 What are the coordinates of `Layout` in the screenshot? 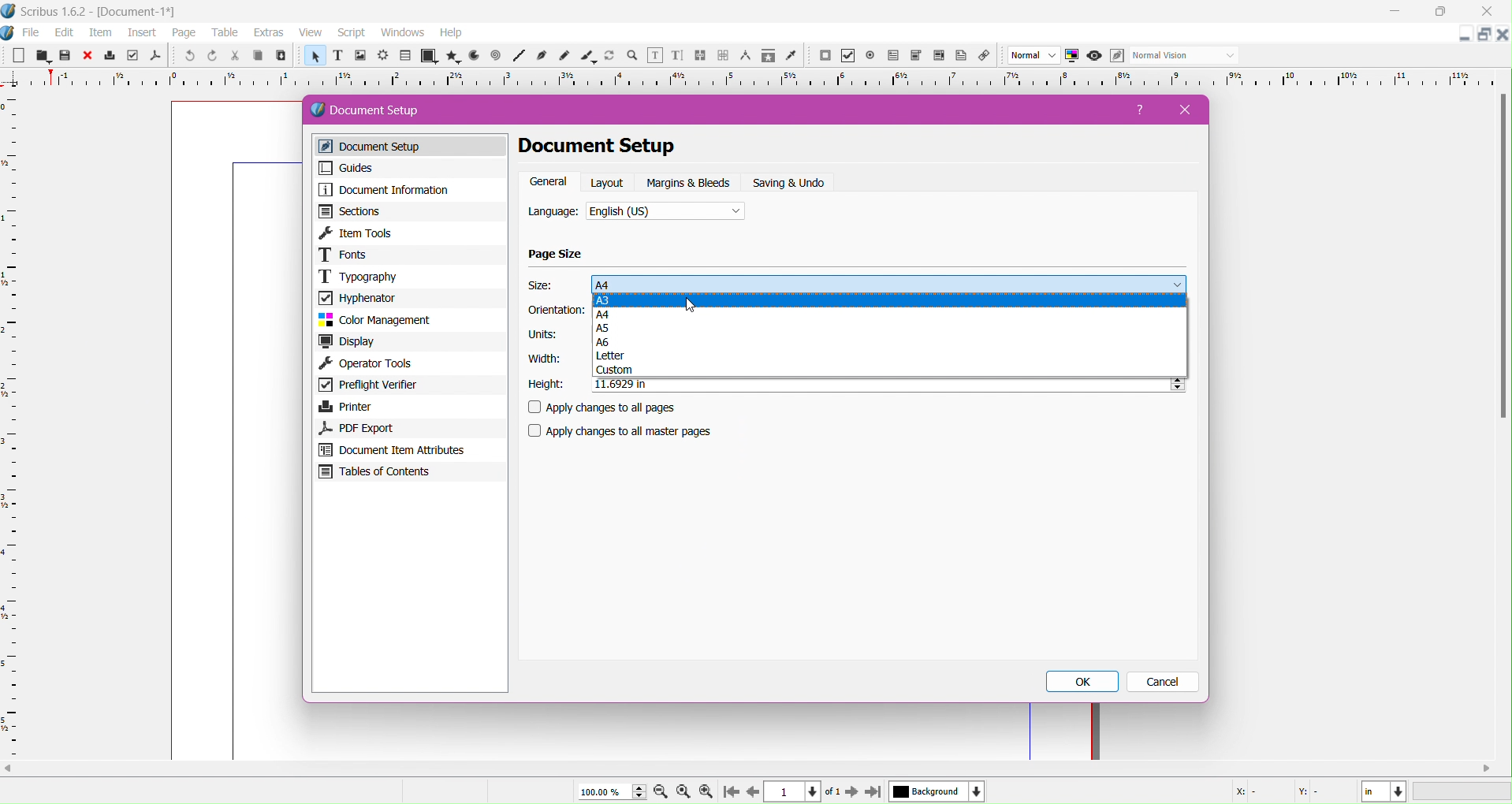 It's located at (609, 182).